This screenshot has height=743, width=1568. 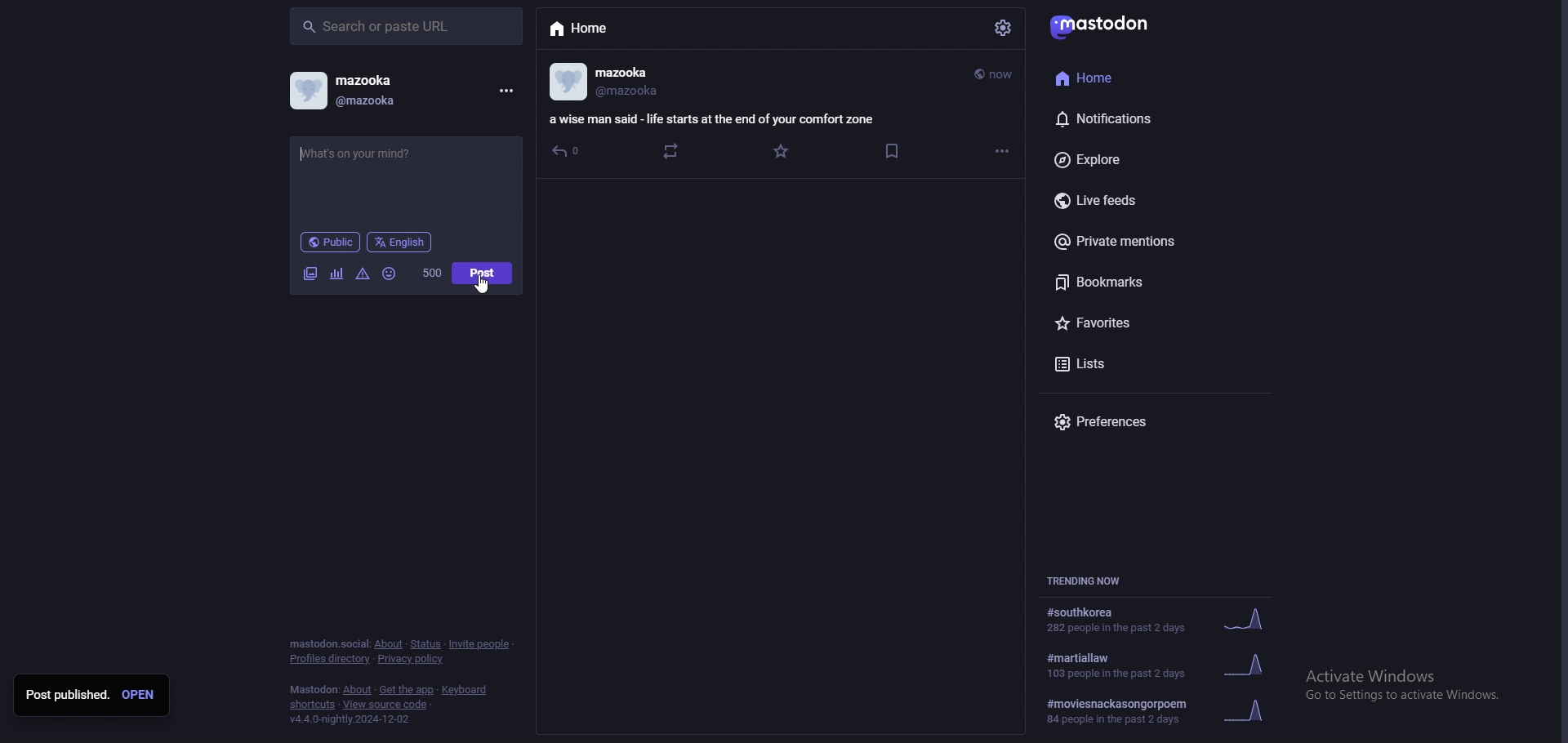 I want to click on mastodon social, so click(x=327, y=643).